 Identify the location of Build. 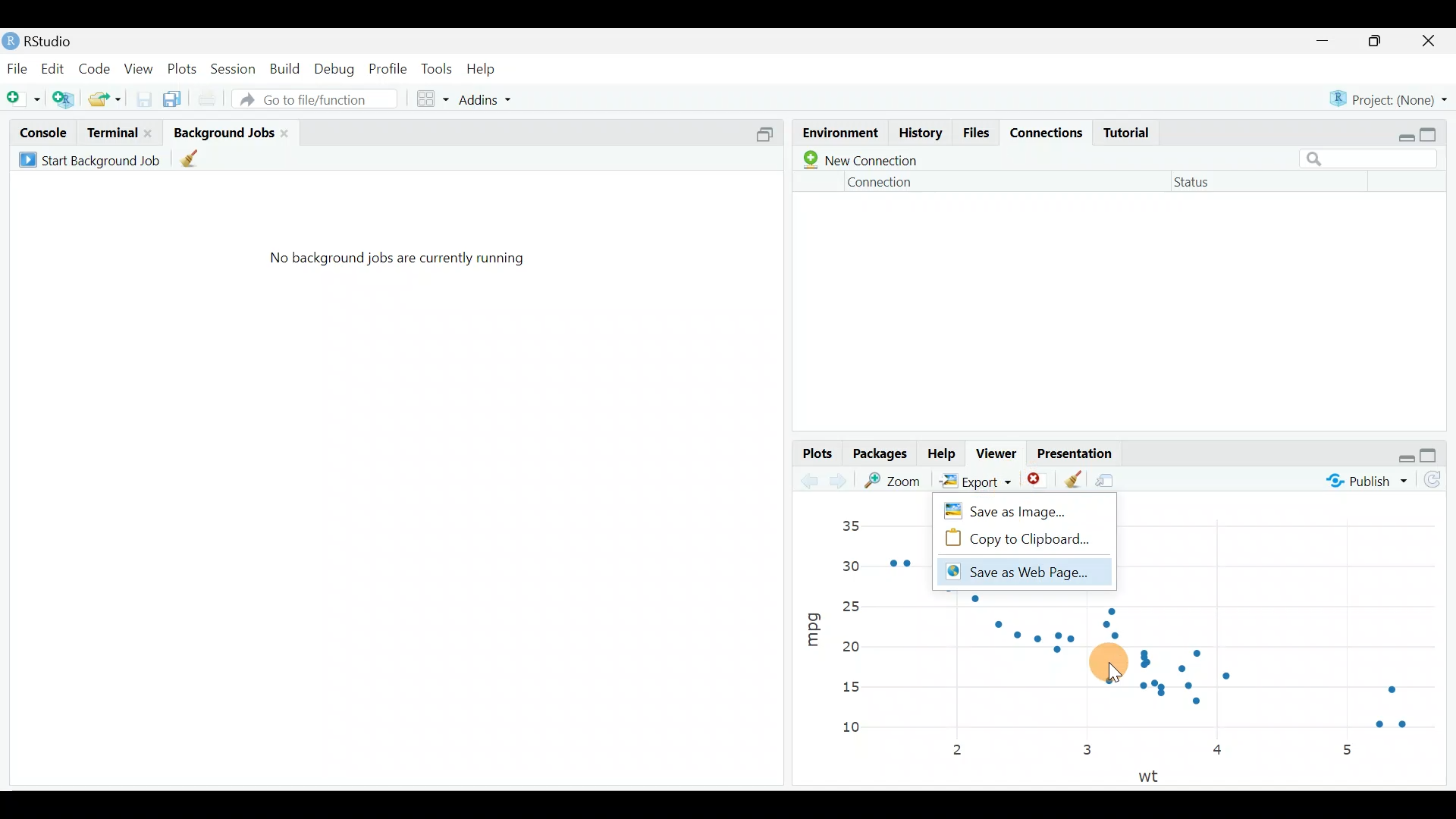
(286, 69).